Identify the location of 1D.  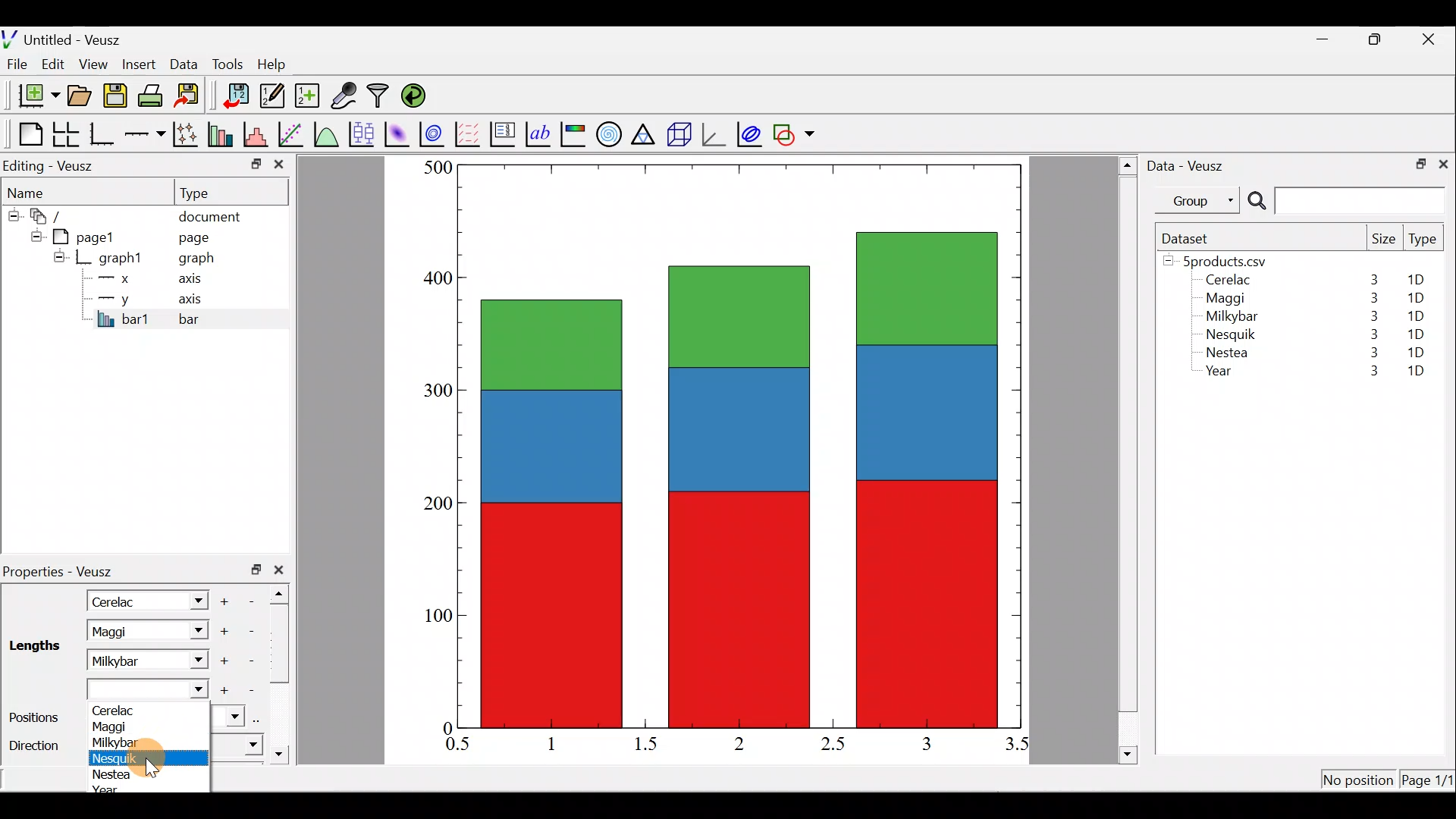
(1418, 331).